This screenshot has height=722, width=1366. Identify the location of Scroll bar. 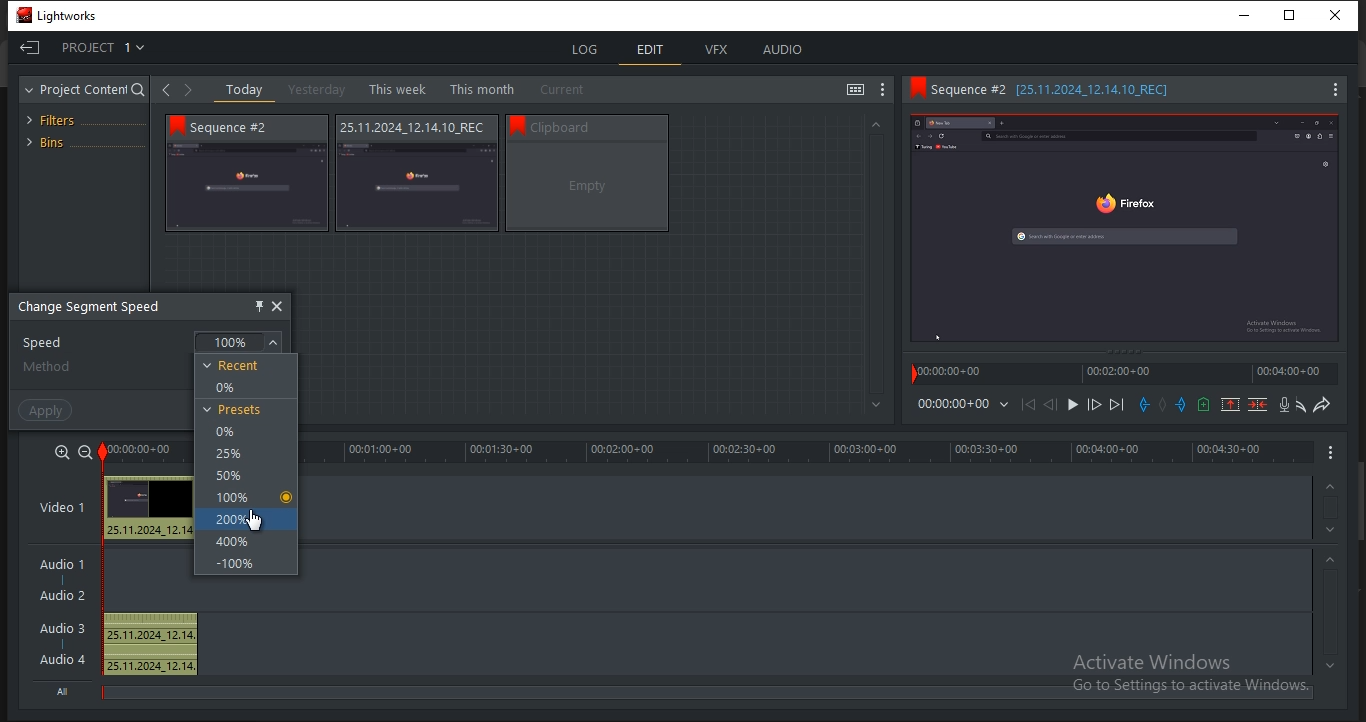
(1357, 499).